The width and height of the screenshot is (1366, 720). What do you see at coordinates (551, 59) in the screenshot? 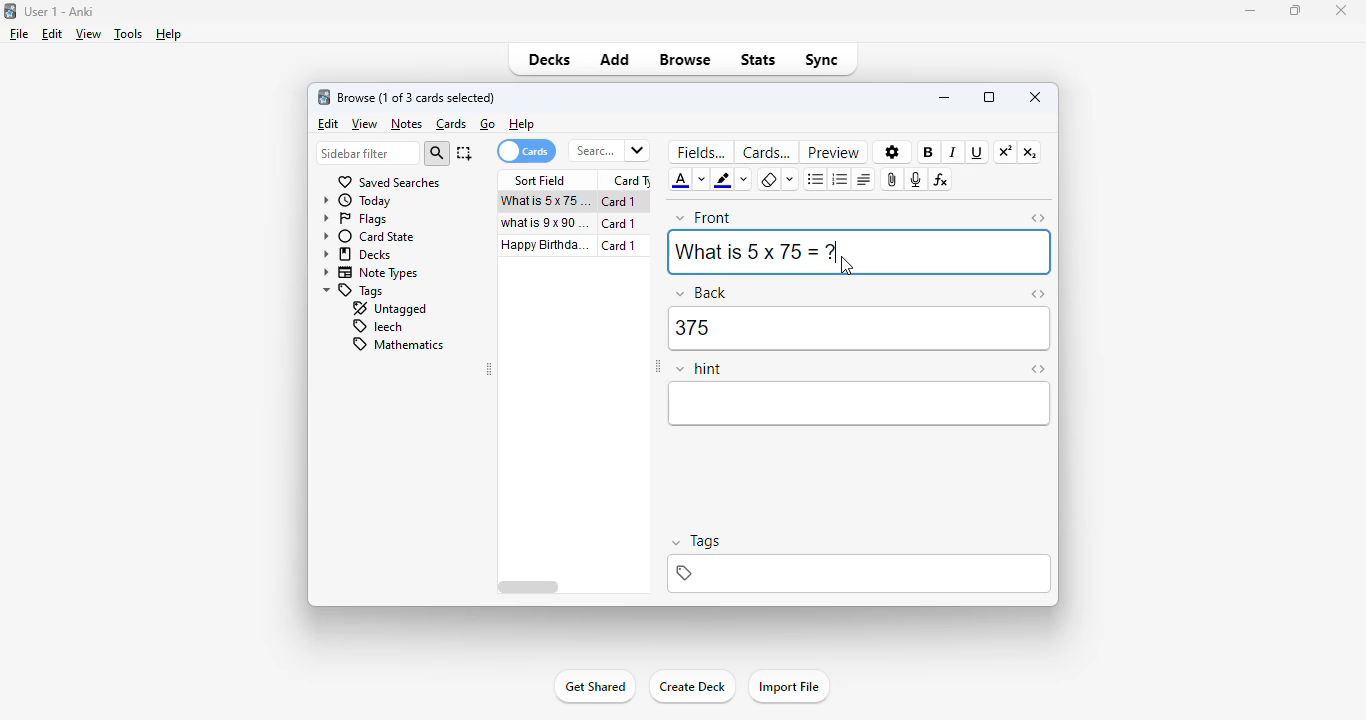
I see `decks` at bounding box center [551, 59].